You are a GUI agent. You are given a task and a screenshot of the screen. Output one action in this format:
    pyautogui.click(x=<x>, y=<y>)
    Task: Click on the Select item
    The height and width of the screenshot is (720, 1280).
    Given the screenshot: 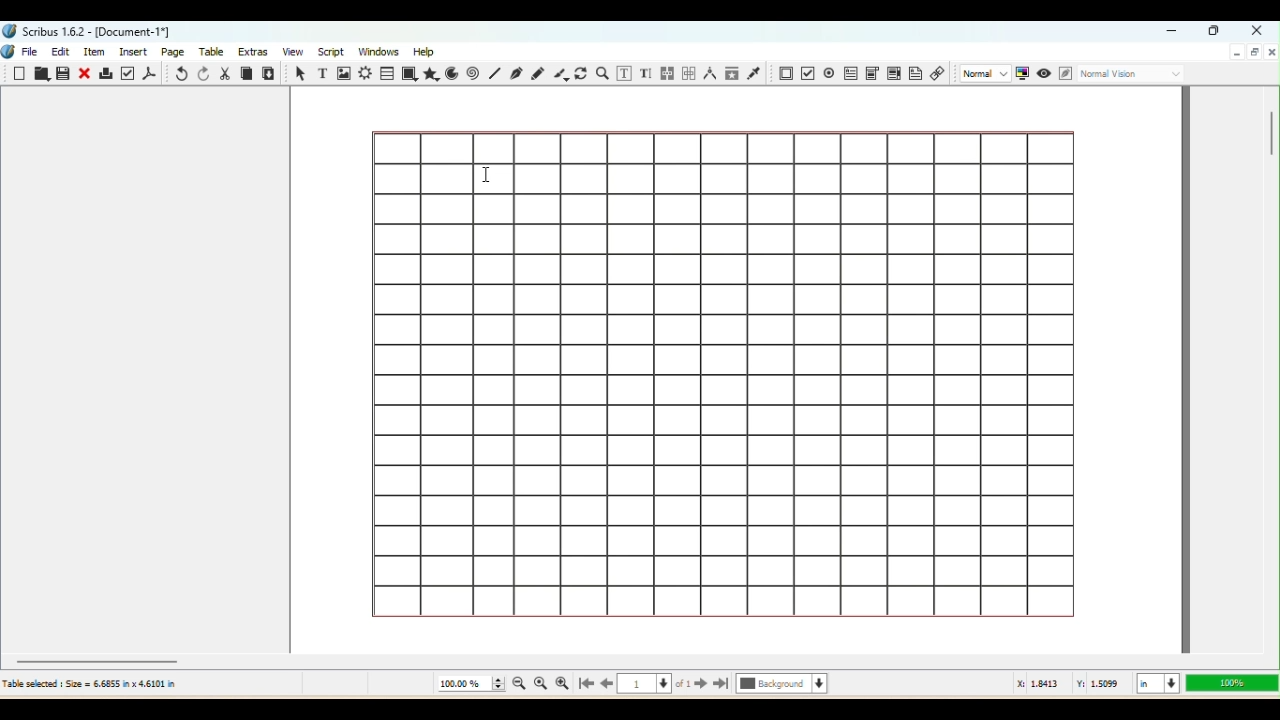 What is the action you would take?
    pyautogui.click(x=298, y=73)
    